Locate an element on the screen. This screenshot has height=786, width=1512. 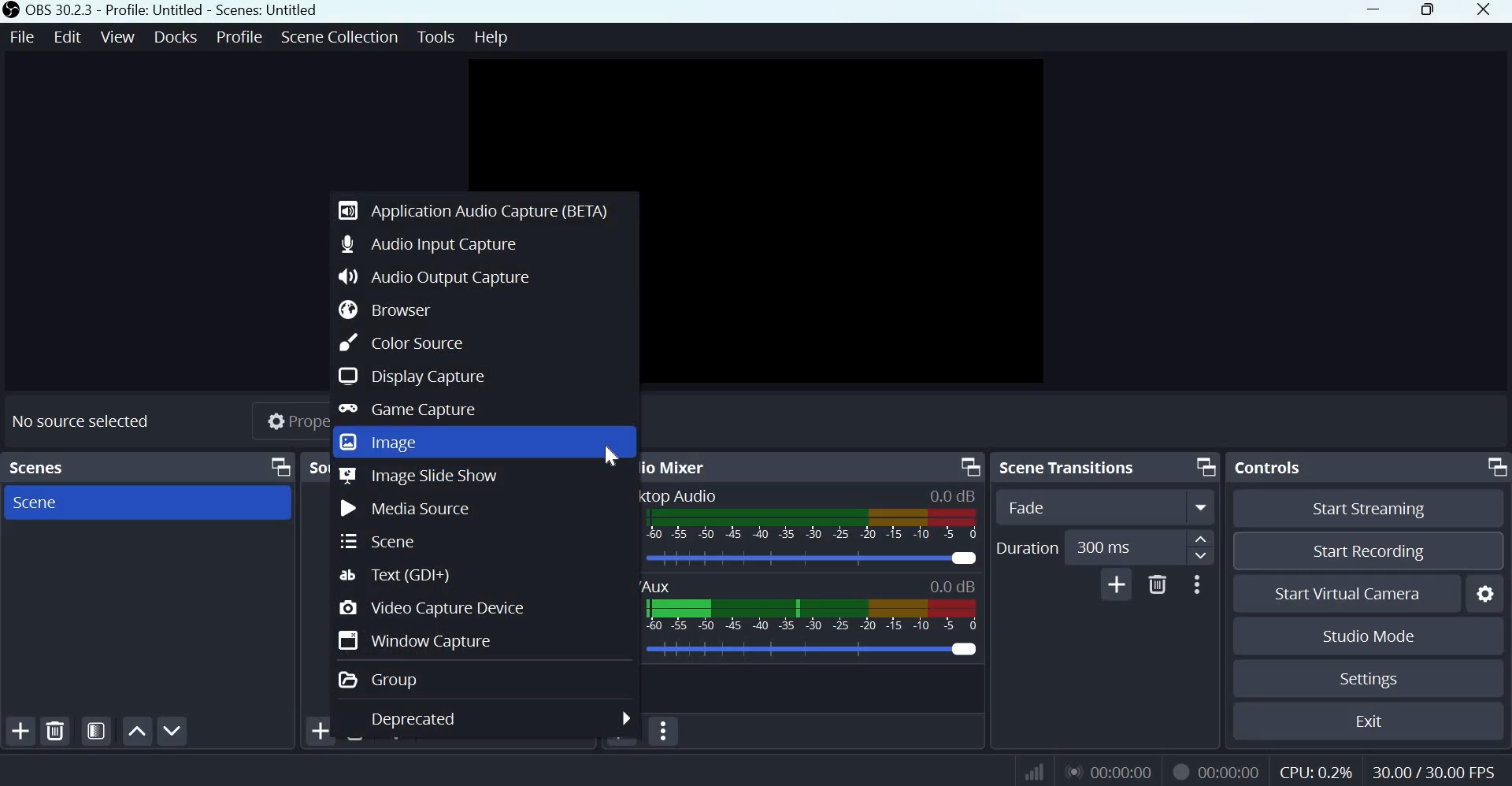
OBS 30.2.3 - Profile: Untitled - Scenes: Untitled is located at coordinates (160, 10).